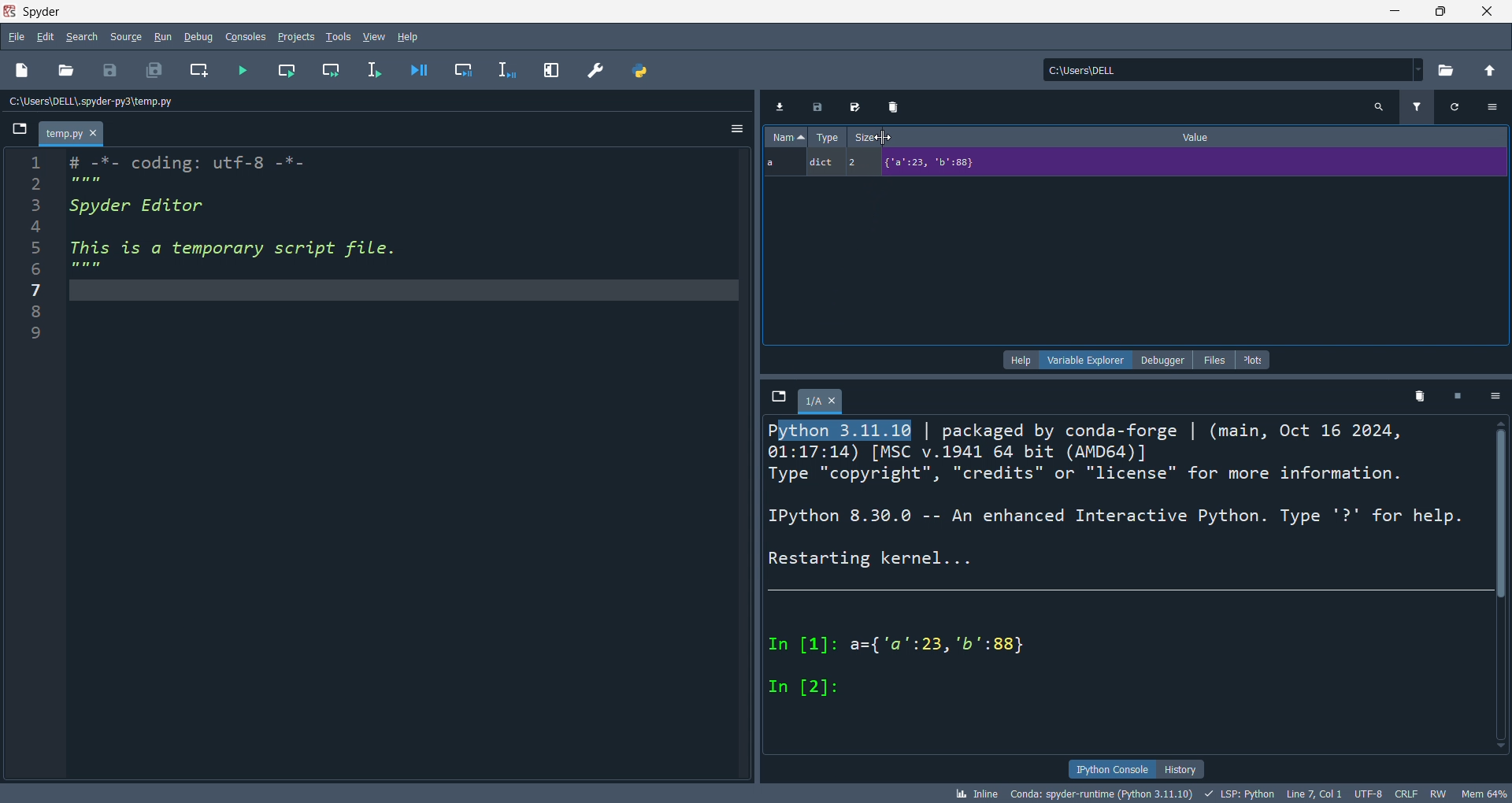  Describe the element at coordinates (1497, 106) in the screenshot. I see `options` at that location.